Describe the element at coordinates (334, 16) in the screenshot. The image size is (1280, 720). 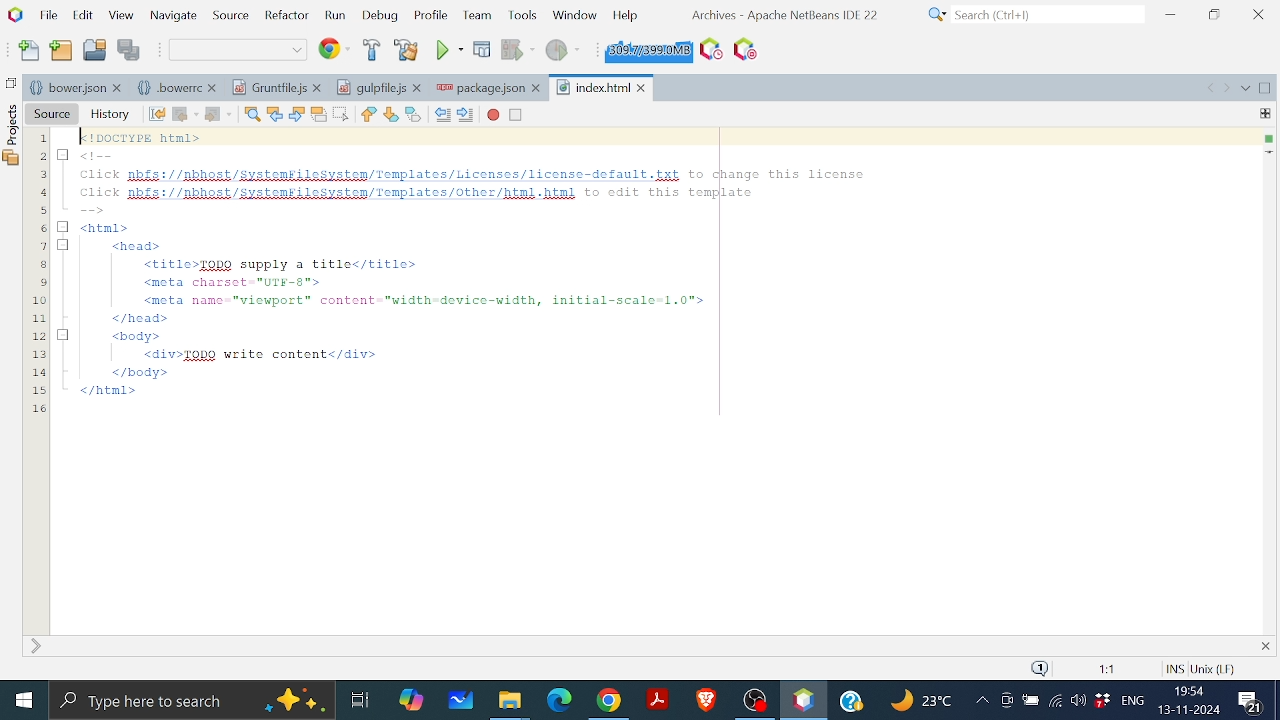
I see `Run` at that location.